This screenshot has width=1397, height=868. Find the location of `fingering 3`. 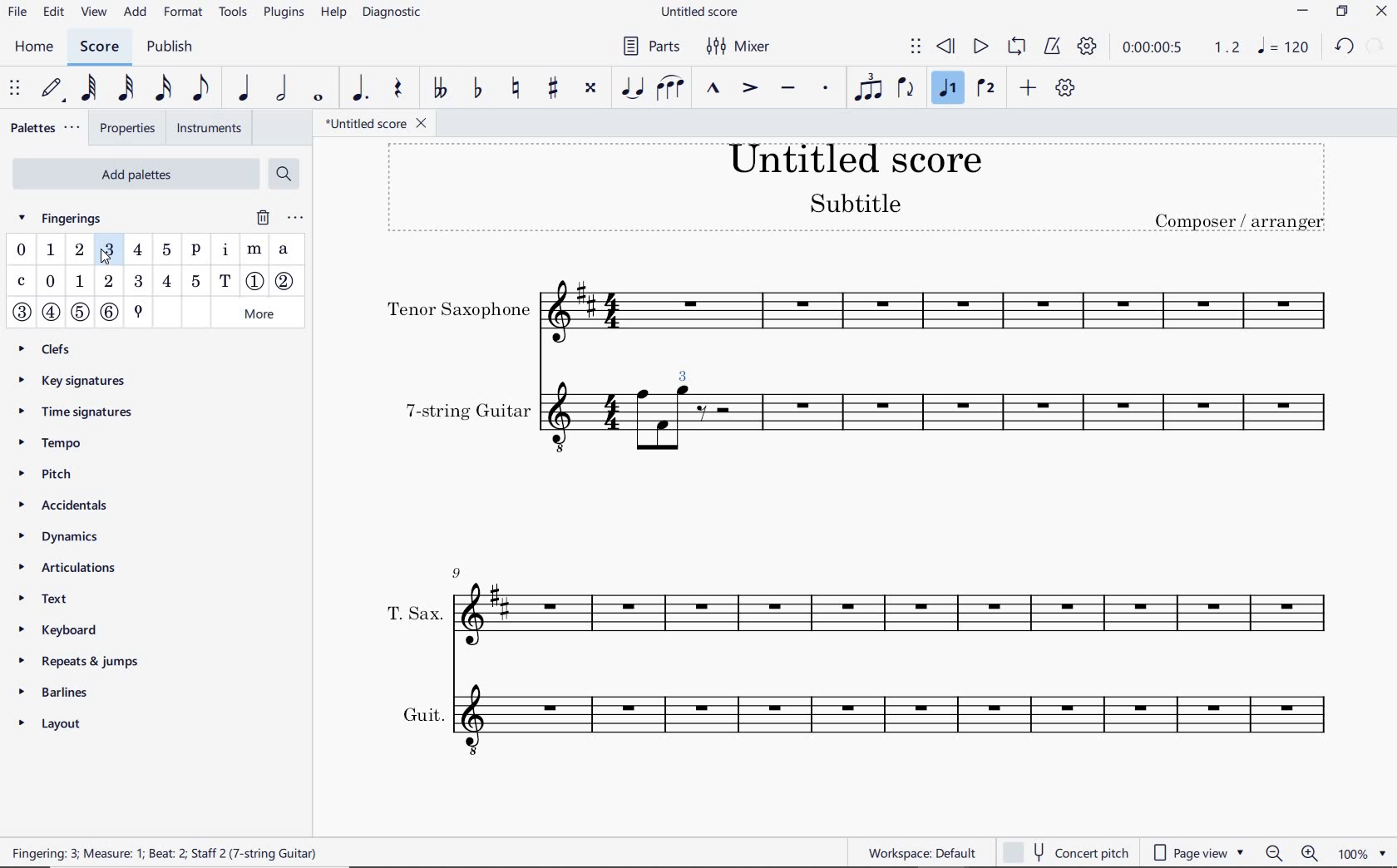

fingering 3 is located at coordinates (106, 287).